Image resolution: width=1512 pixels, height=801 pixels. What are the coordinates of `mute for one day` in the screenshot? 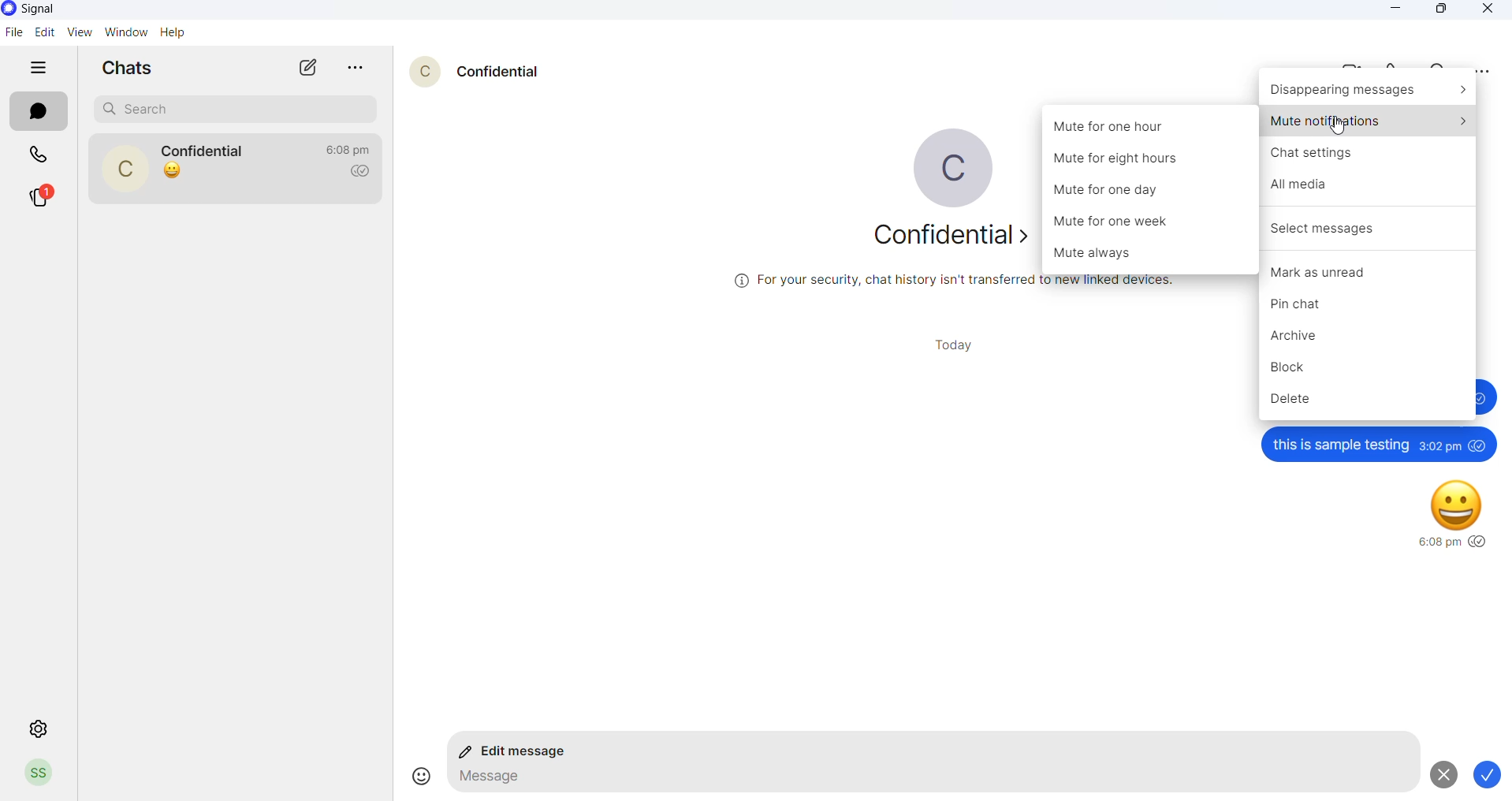 It's located at (1153, 192).